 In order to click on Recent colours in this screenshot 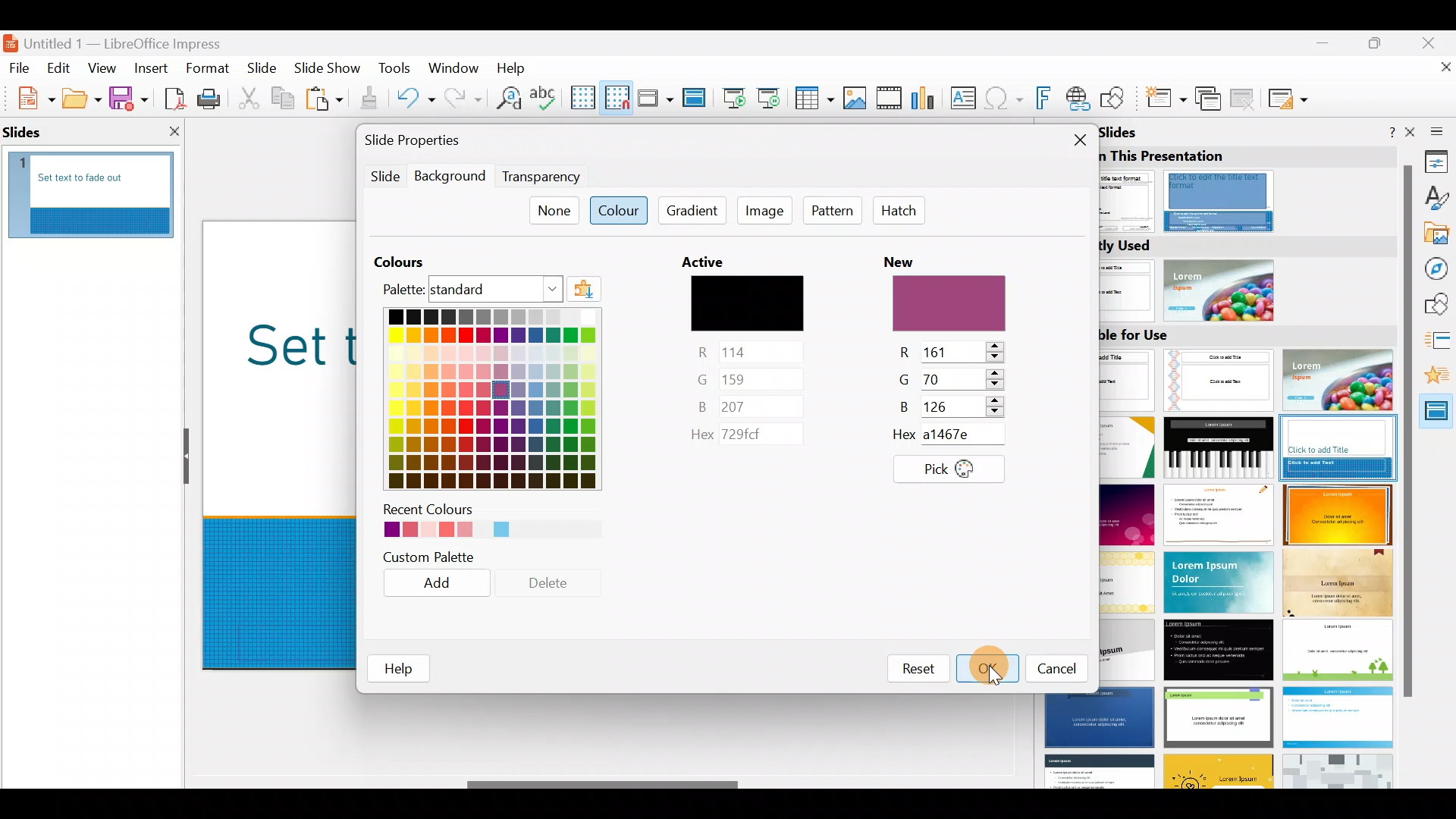, I will do `click(479, 522)`.